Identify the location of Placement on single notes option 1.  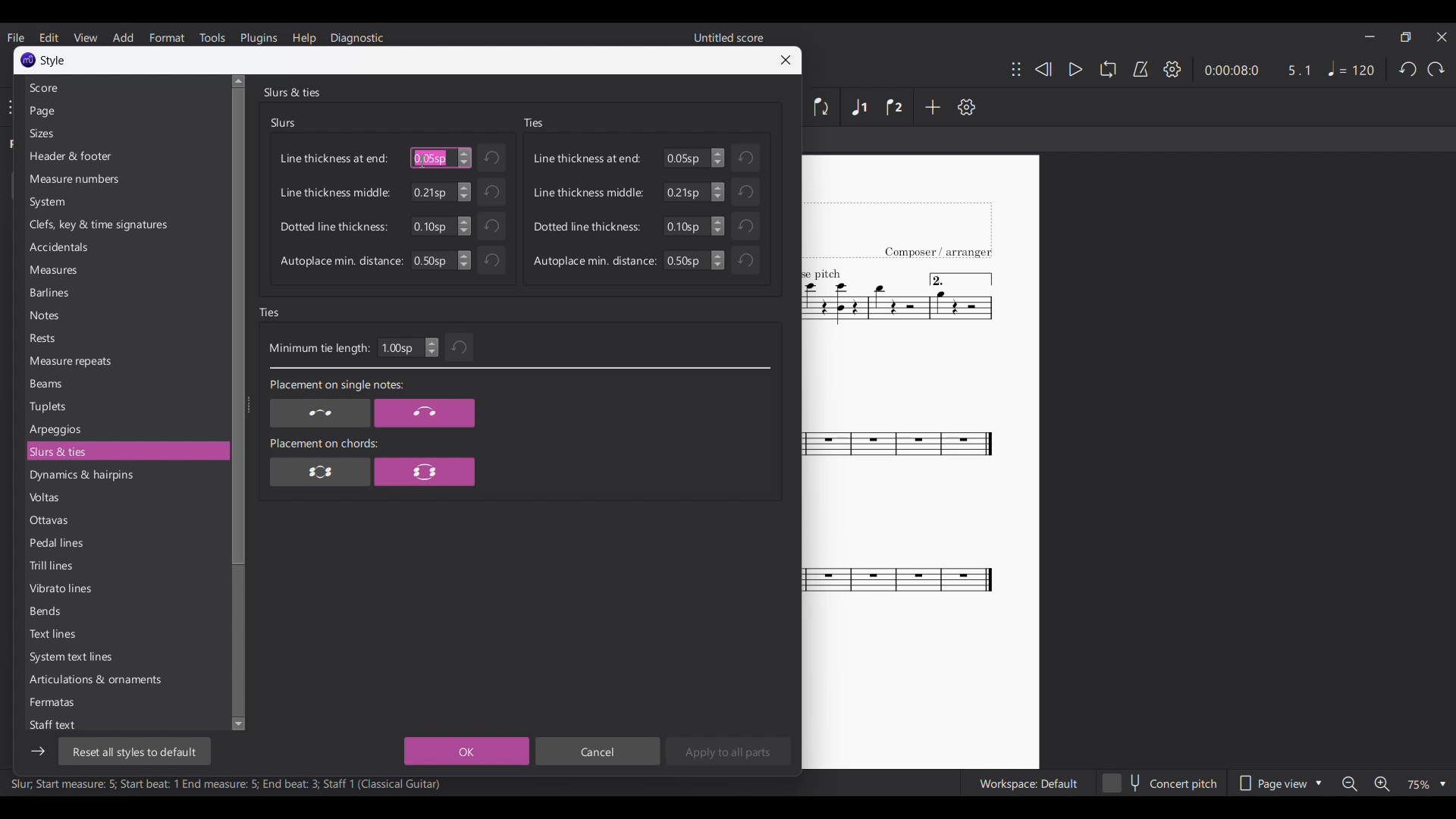
(319, 413).